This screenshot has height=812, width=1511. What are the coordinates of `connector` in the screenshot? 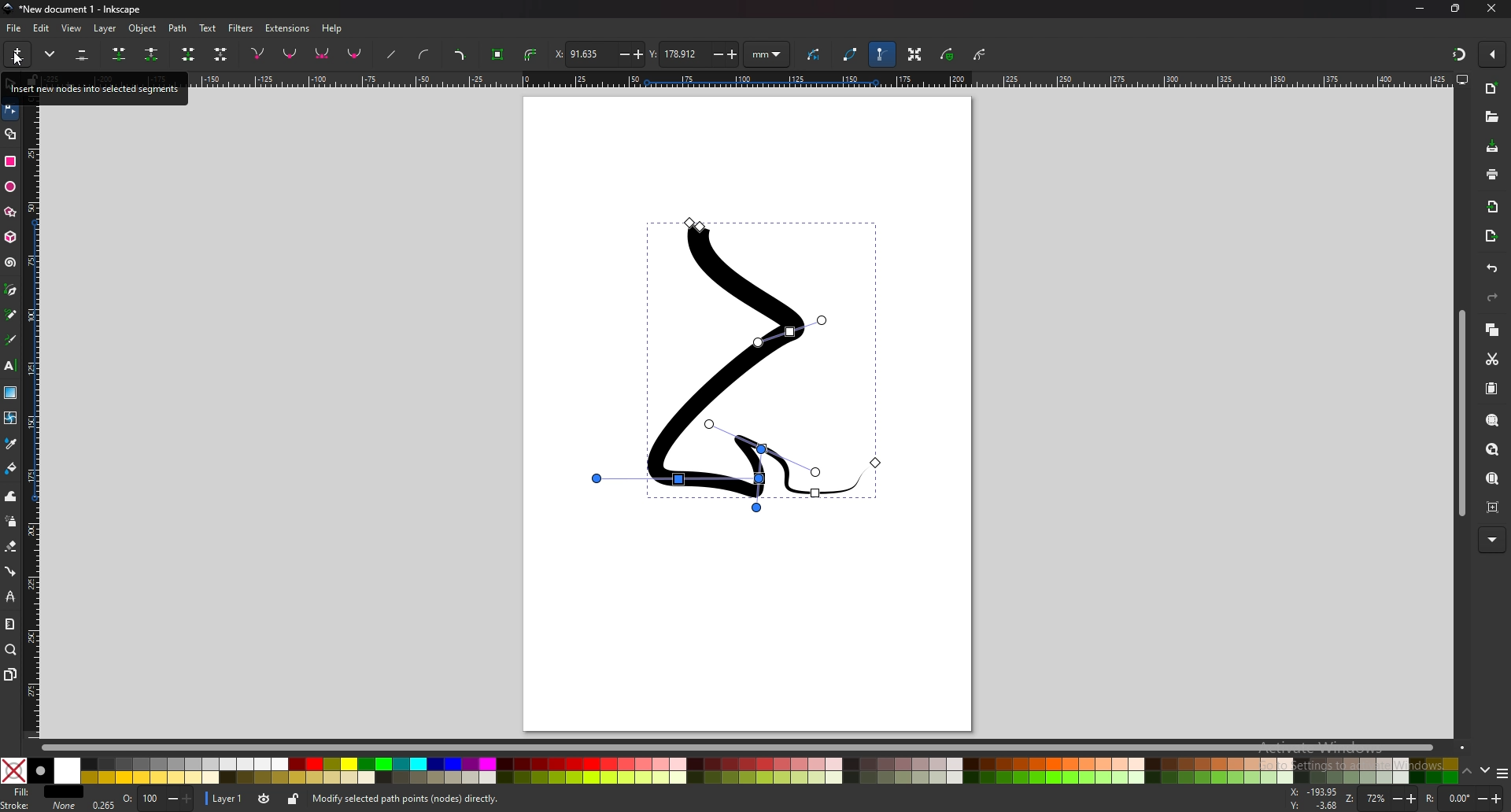 It's located at (10, 572).